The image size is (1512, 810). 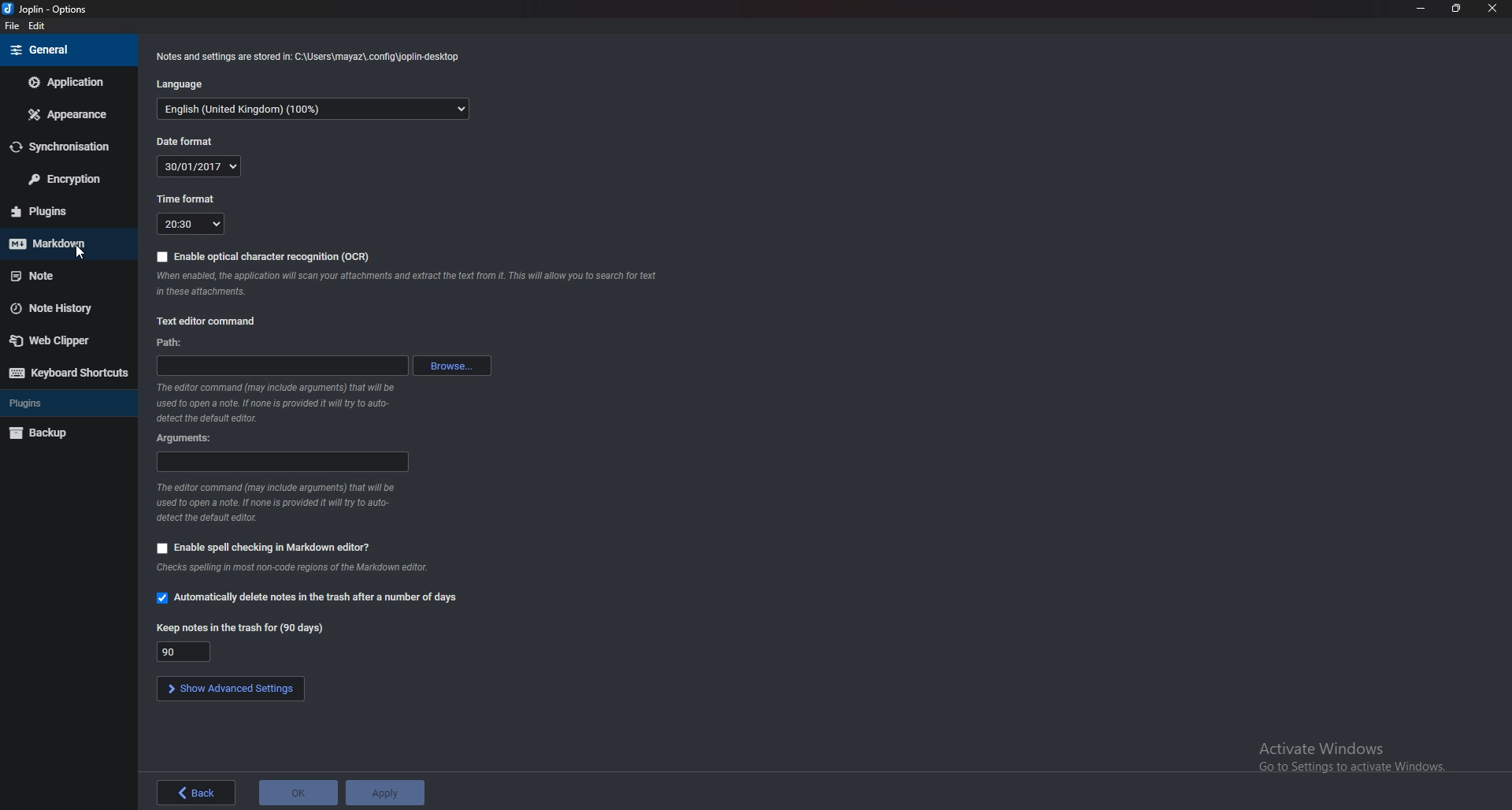 What do you see at coordinates (298, 794) in the screenshot?
I see `ok` at bounding box center [298, 794].